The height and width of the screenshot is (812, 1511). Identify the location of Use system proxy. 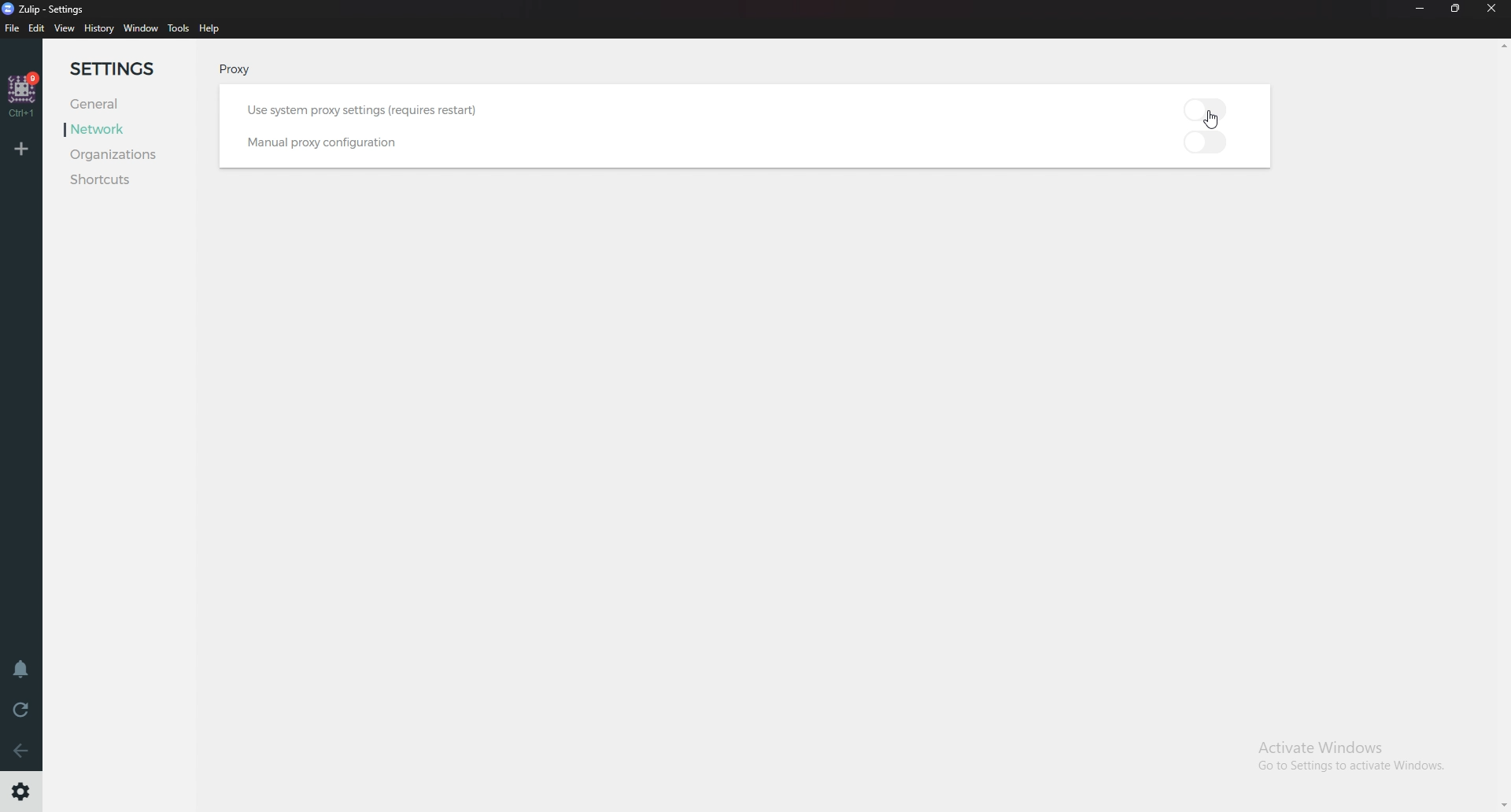
(367, 111).